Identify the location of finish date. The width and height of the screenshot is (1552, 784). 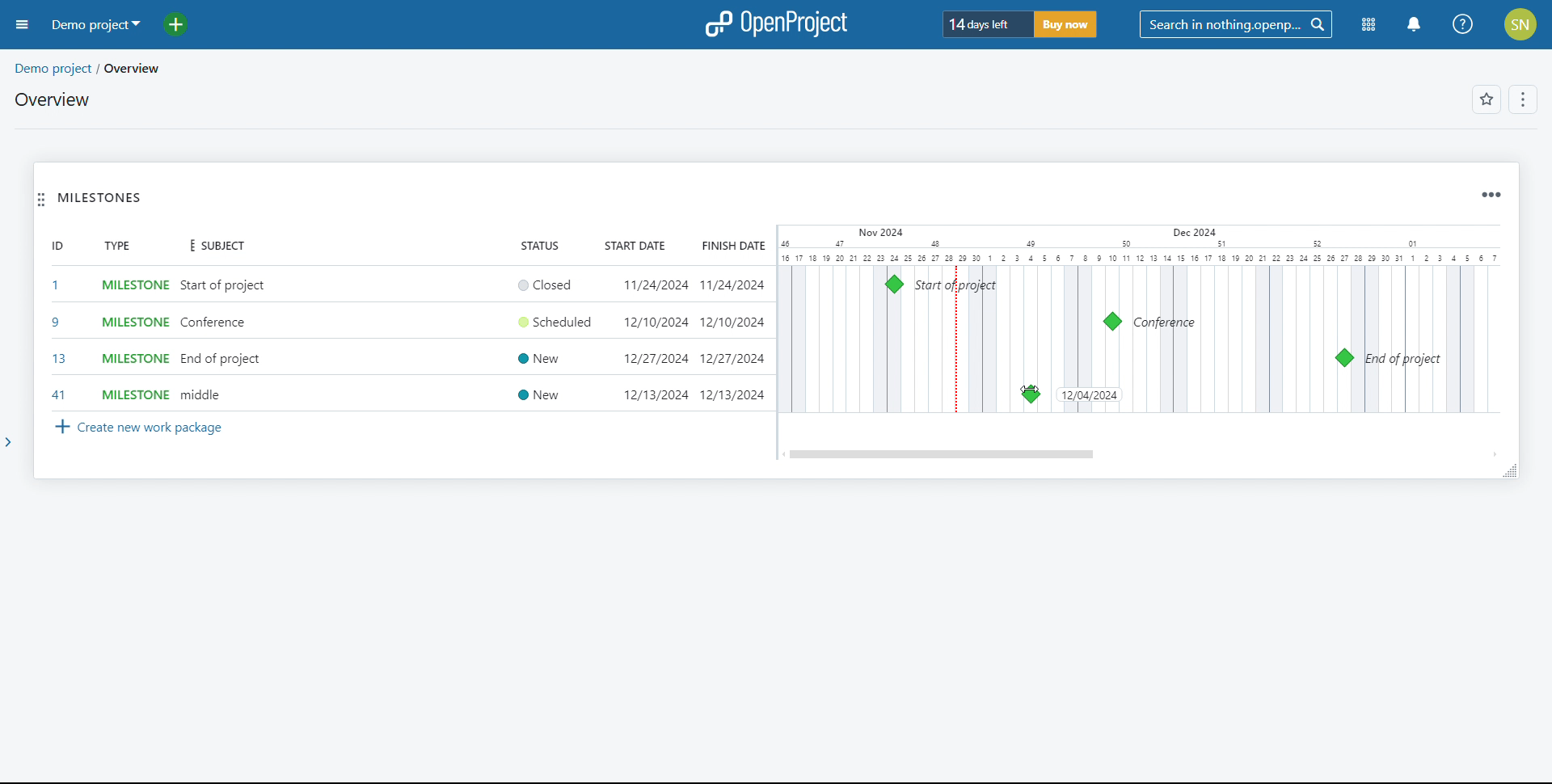
(731, 245).